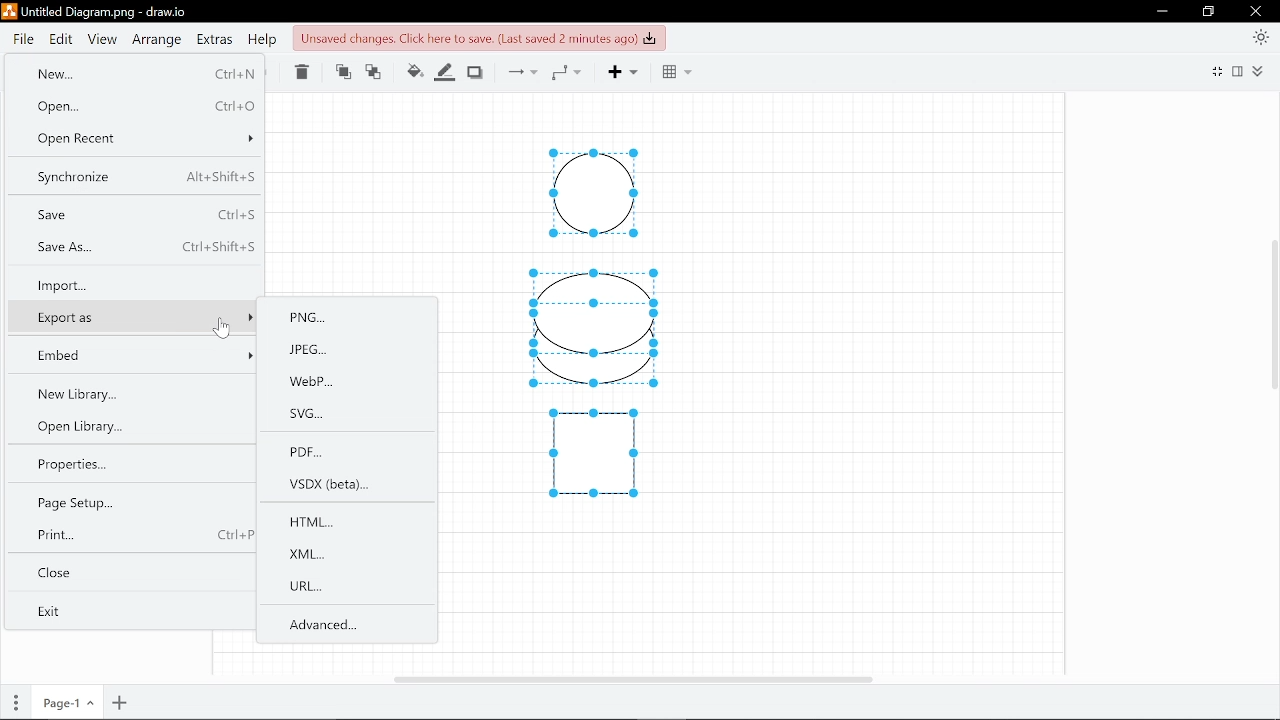 This screenshot has width=1280, height=720. What do you see at coordinates (132, 285) in the screenshot?
I see `Import` at bounding box center [132, 285].